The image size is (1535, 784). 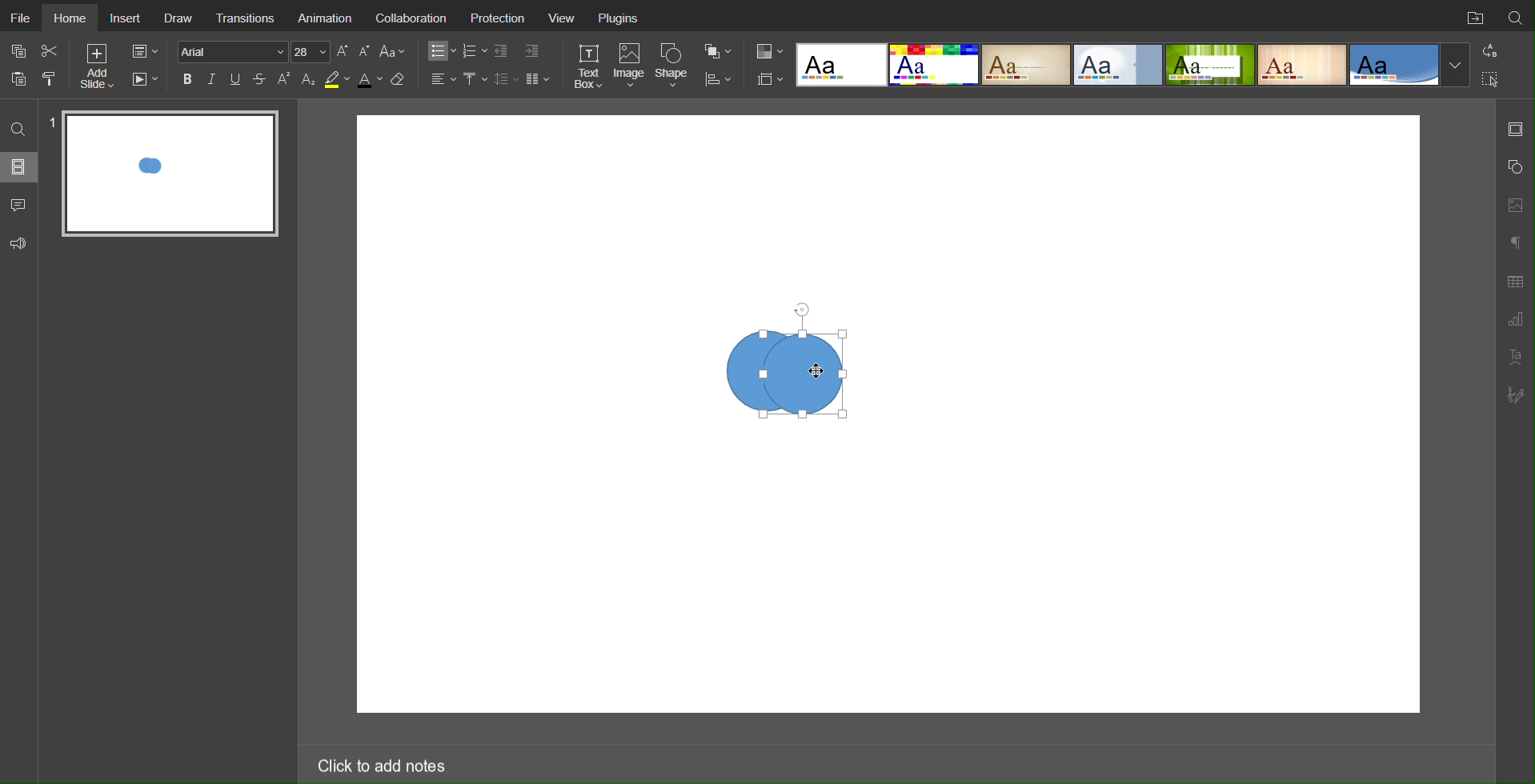 I want to click on Rotate, so click(x=800, y=310).